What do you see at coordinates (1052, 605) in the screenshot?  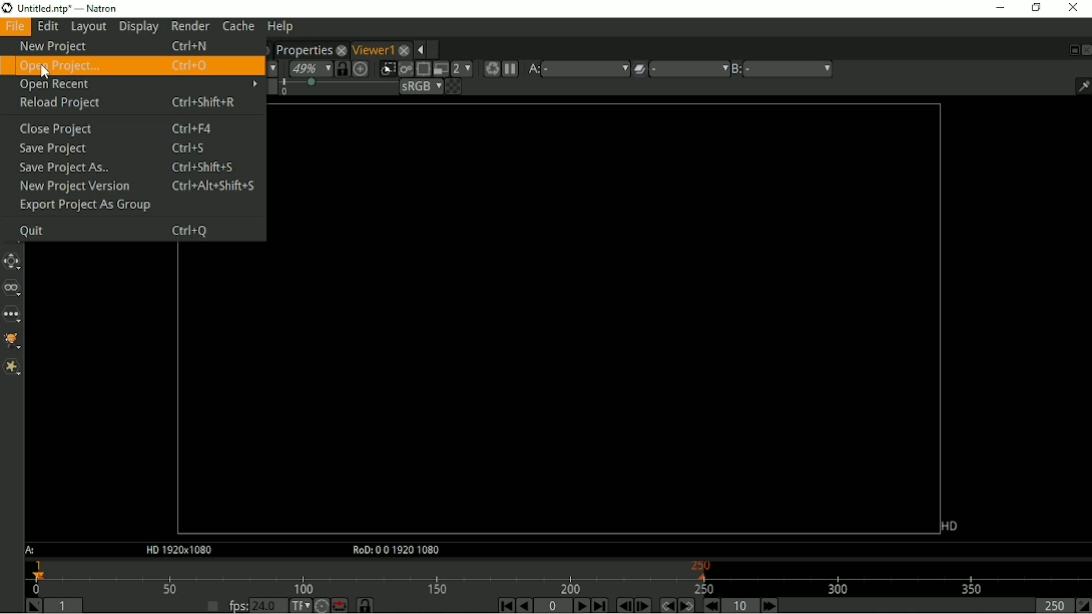 I see `Playback out point` at bounding box center [1052, 605].